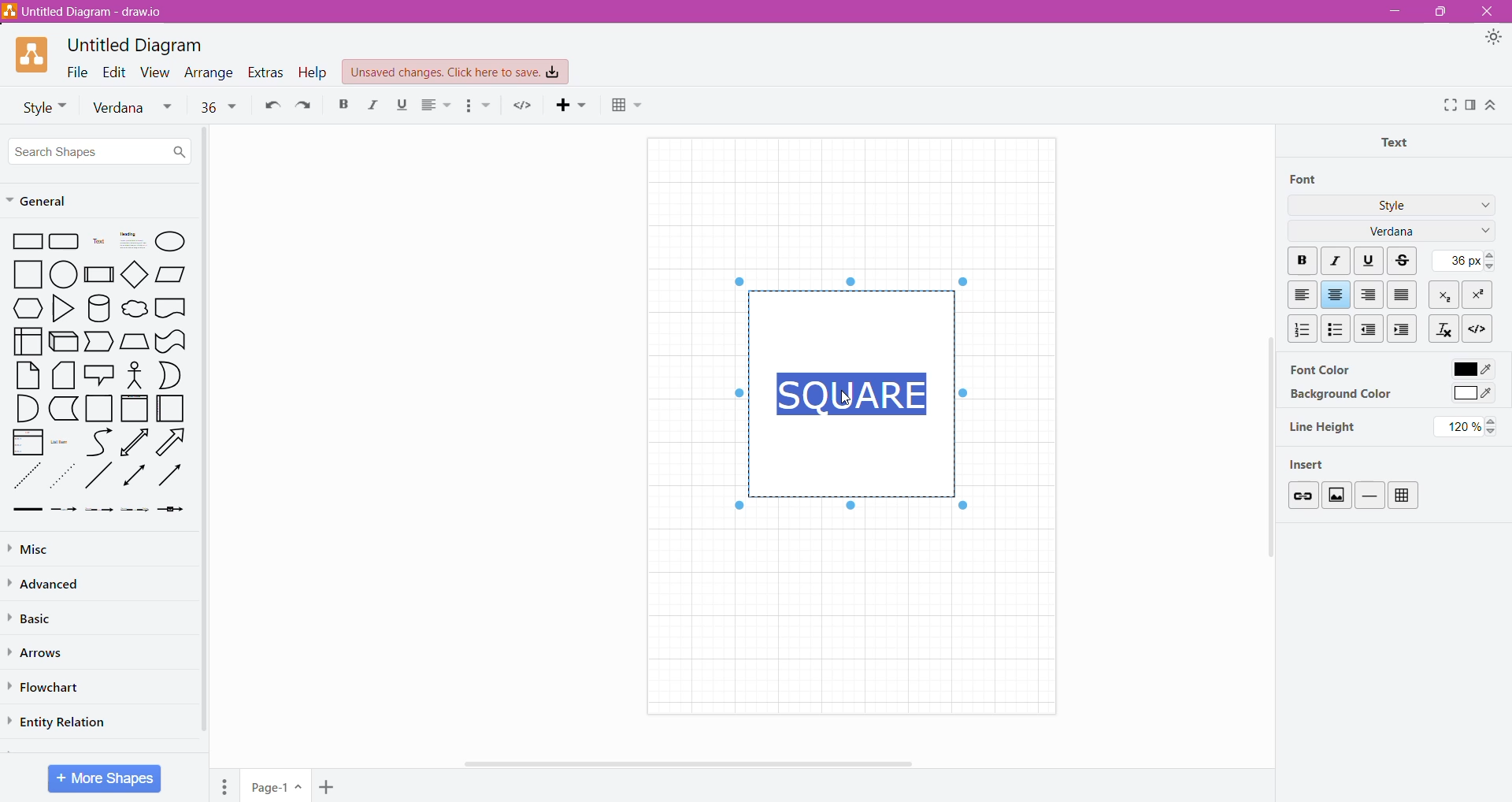 The width and height of the screenshot is (1512, 802). Describe the element at coordinates (27, 308) in the screenshot. I see `hexagon` at that location.